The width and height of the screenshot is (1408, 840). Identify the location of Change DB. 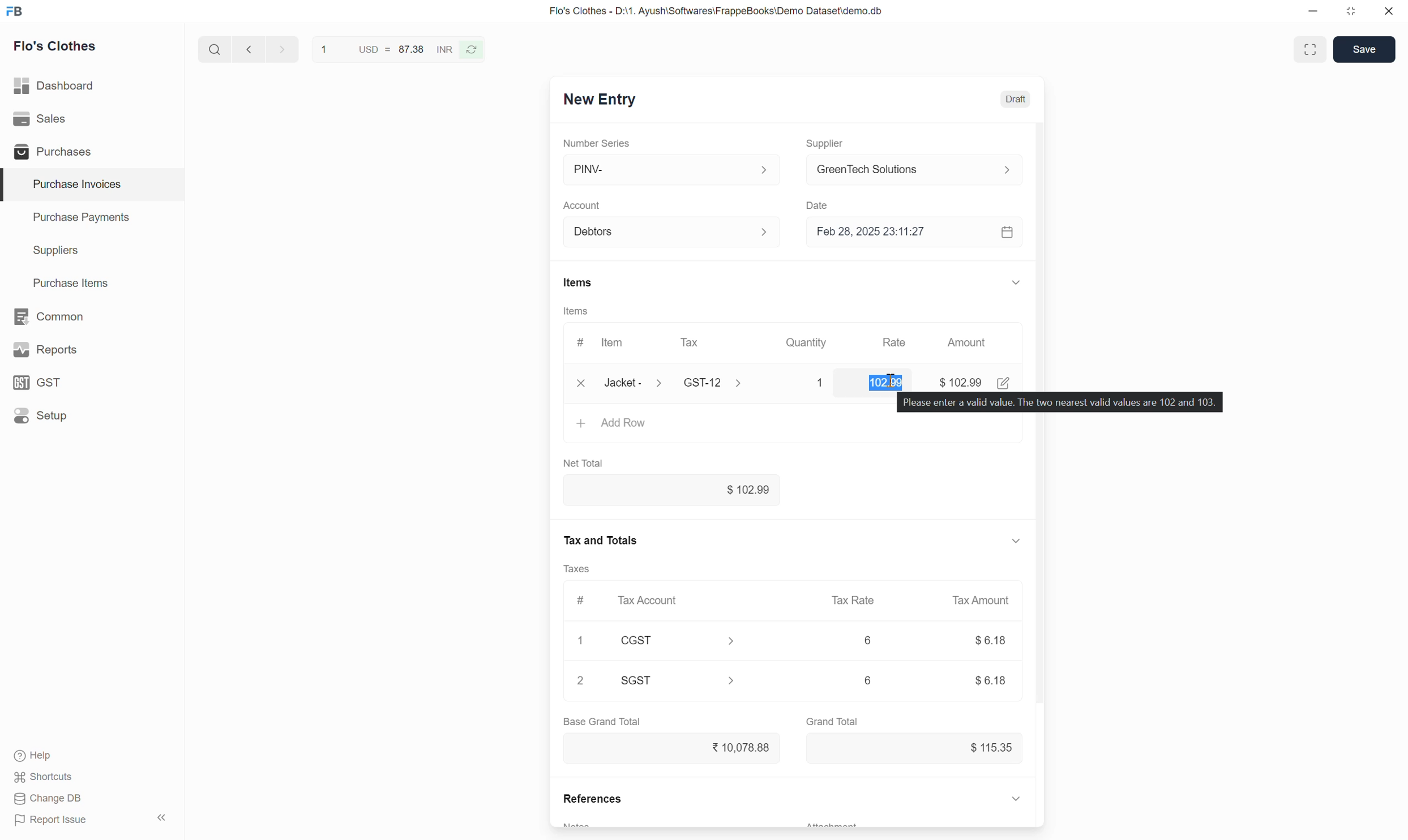
(49, 799).